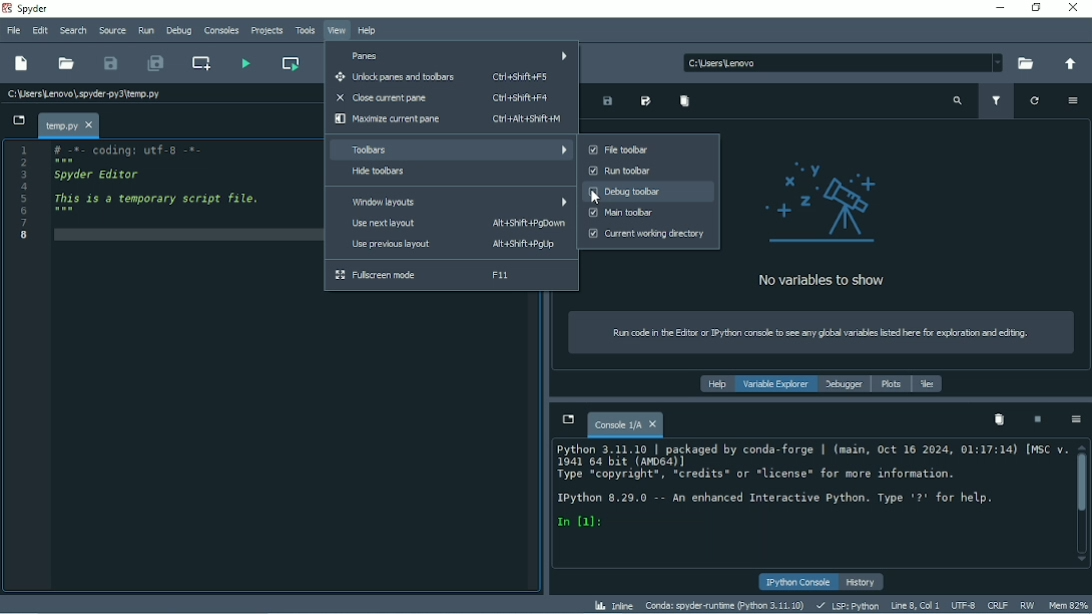 This screenshot has width=1092, height=614. Describe the element at coordinates (714, 385) in the screenshot. I see `Help` at that location.